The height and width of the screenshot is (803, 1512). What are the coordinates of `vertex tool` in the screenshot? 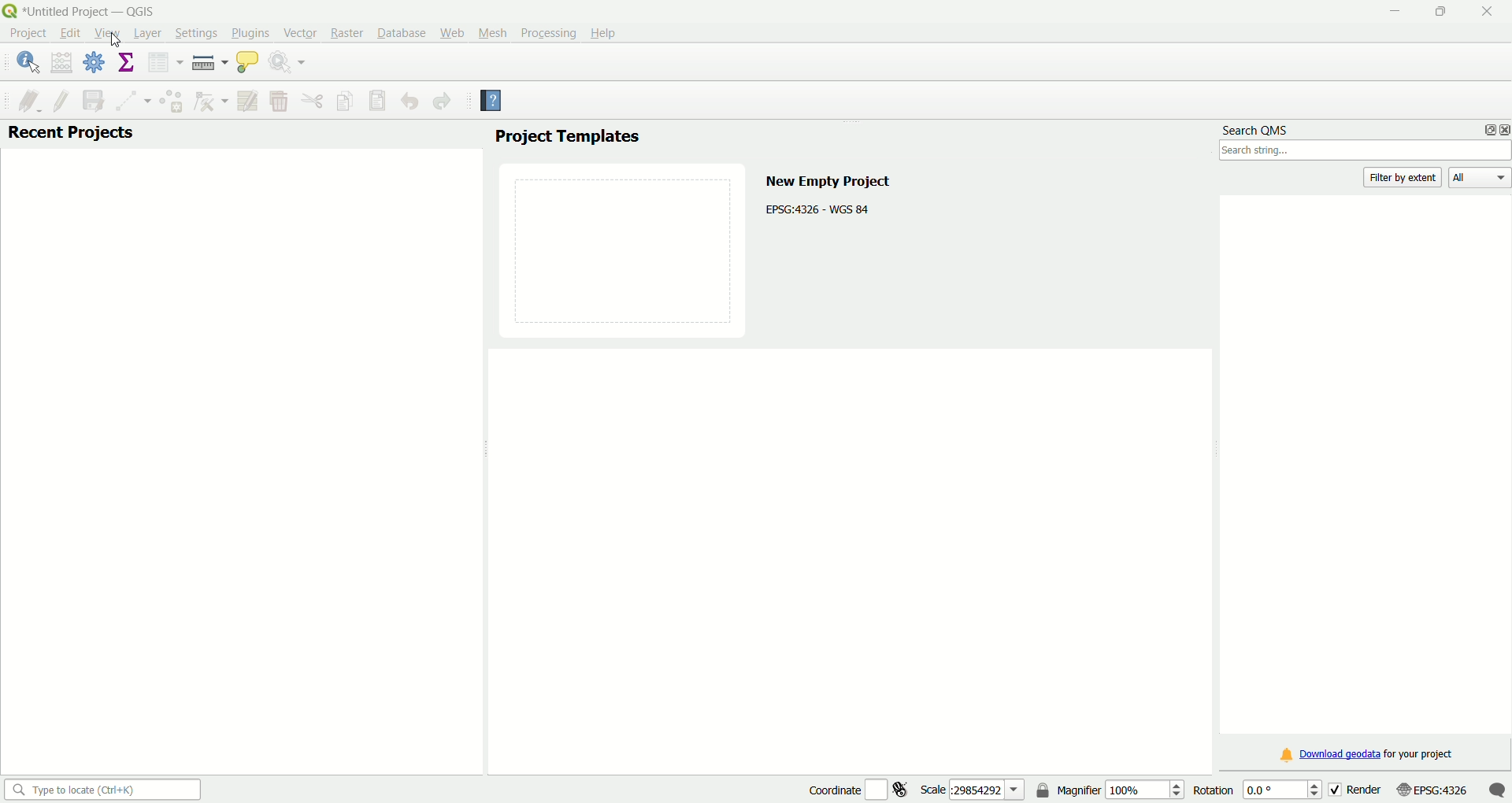 It's located at (209, 102).